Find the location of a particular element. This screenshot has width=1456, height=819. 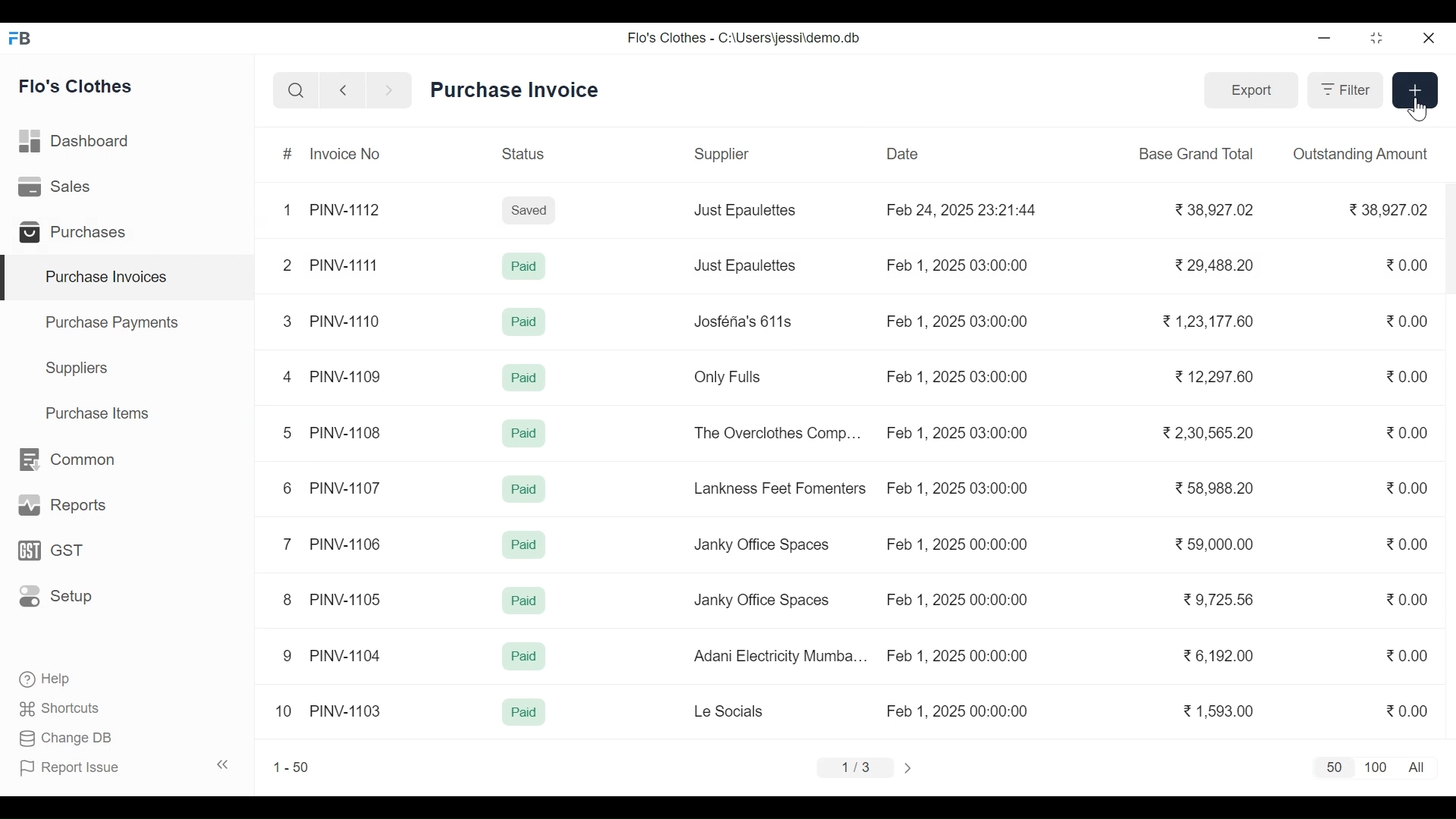

Flo's Clothes is located at coordinates (78, 86).